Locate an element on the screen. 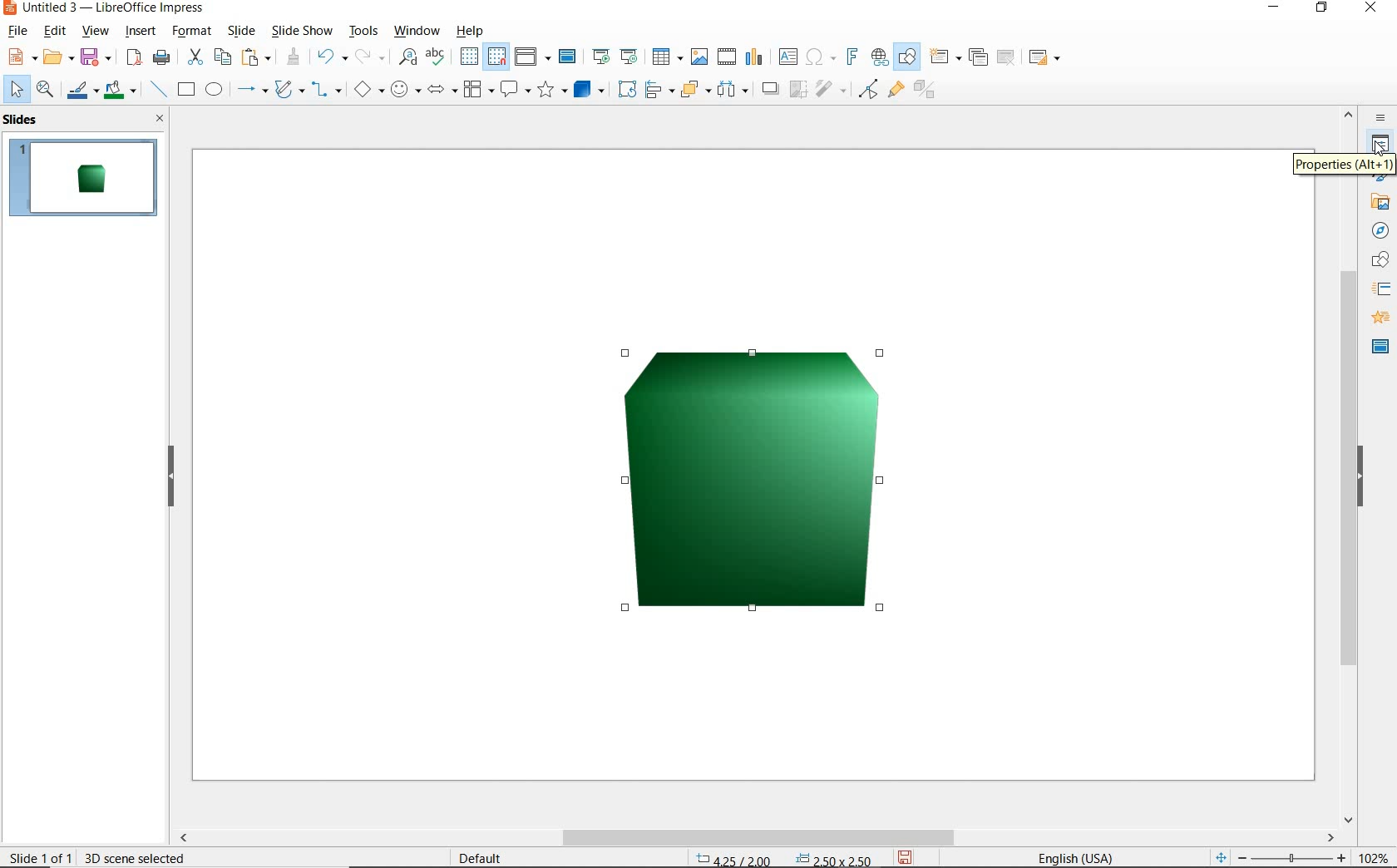 Image resolution: width=1397 pixels, height=868 pixels. curves and polygons is located at coordinates (290, 91).